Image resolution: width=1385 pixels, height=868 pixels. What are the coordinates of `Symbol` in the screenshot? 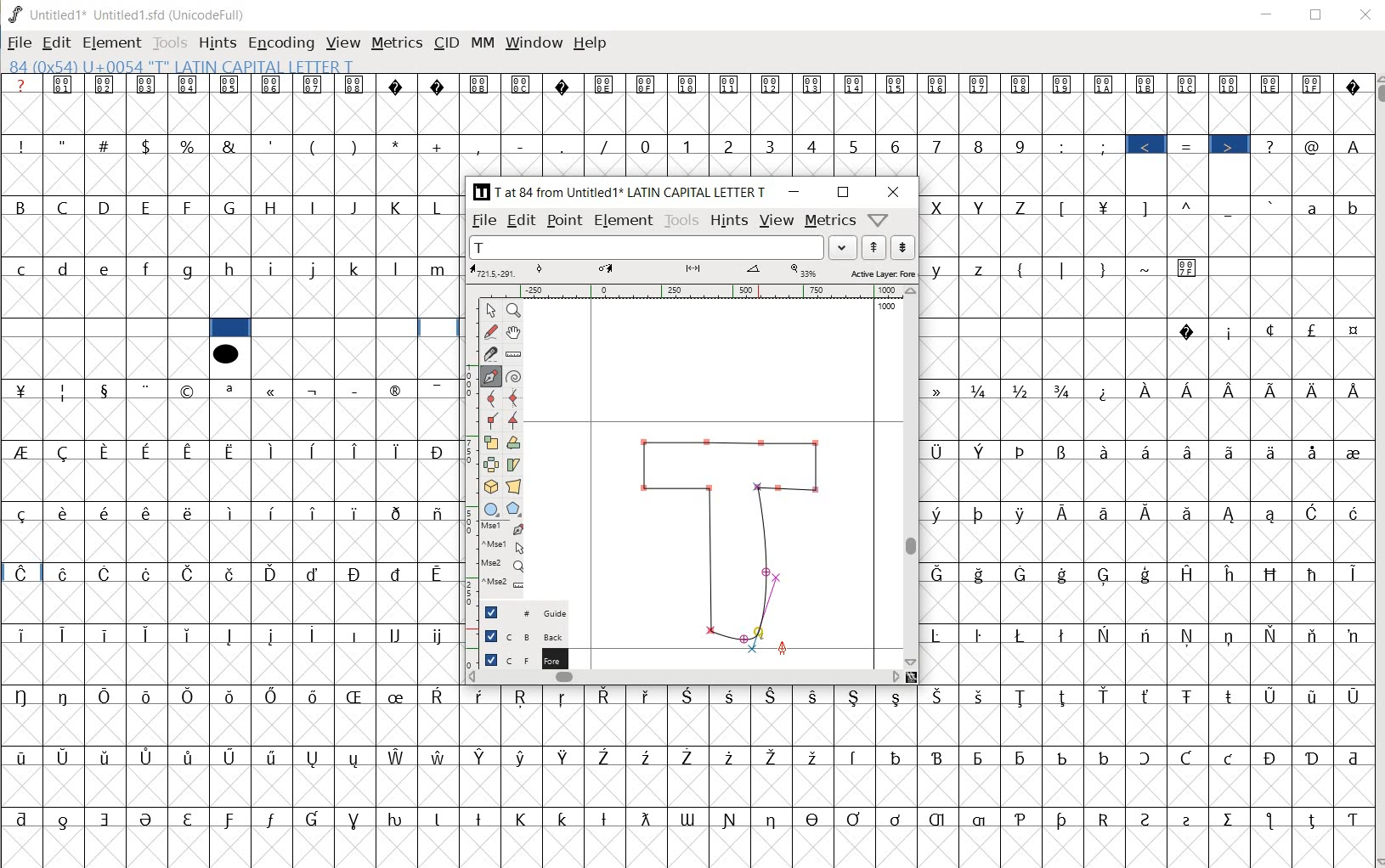 It's located at (565, 757).